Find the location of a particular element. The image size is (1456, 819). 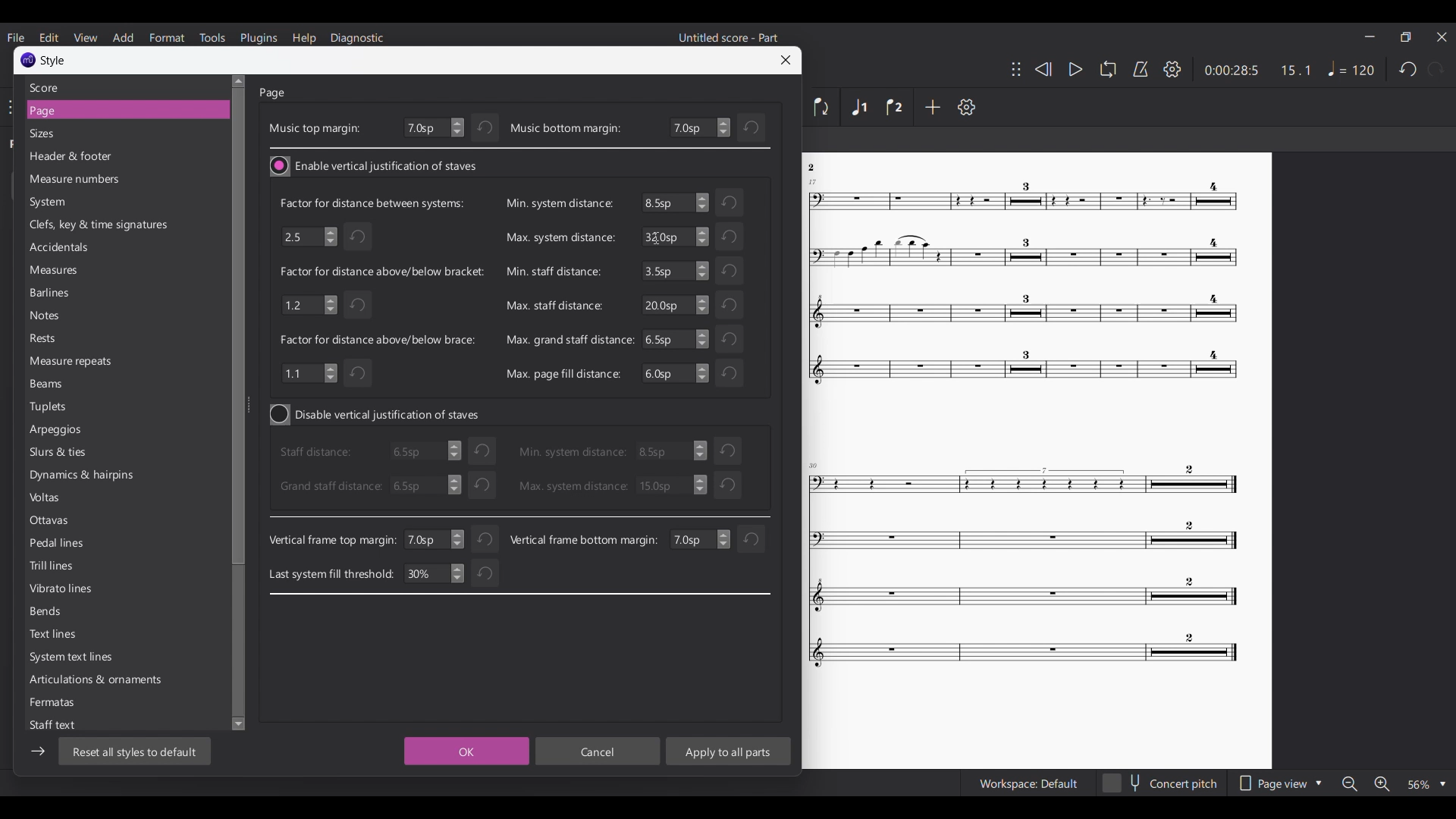

Settings is located at coordinates (1172, 69).